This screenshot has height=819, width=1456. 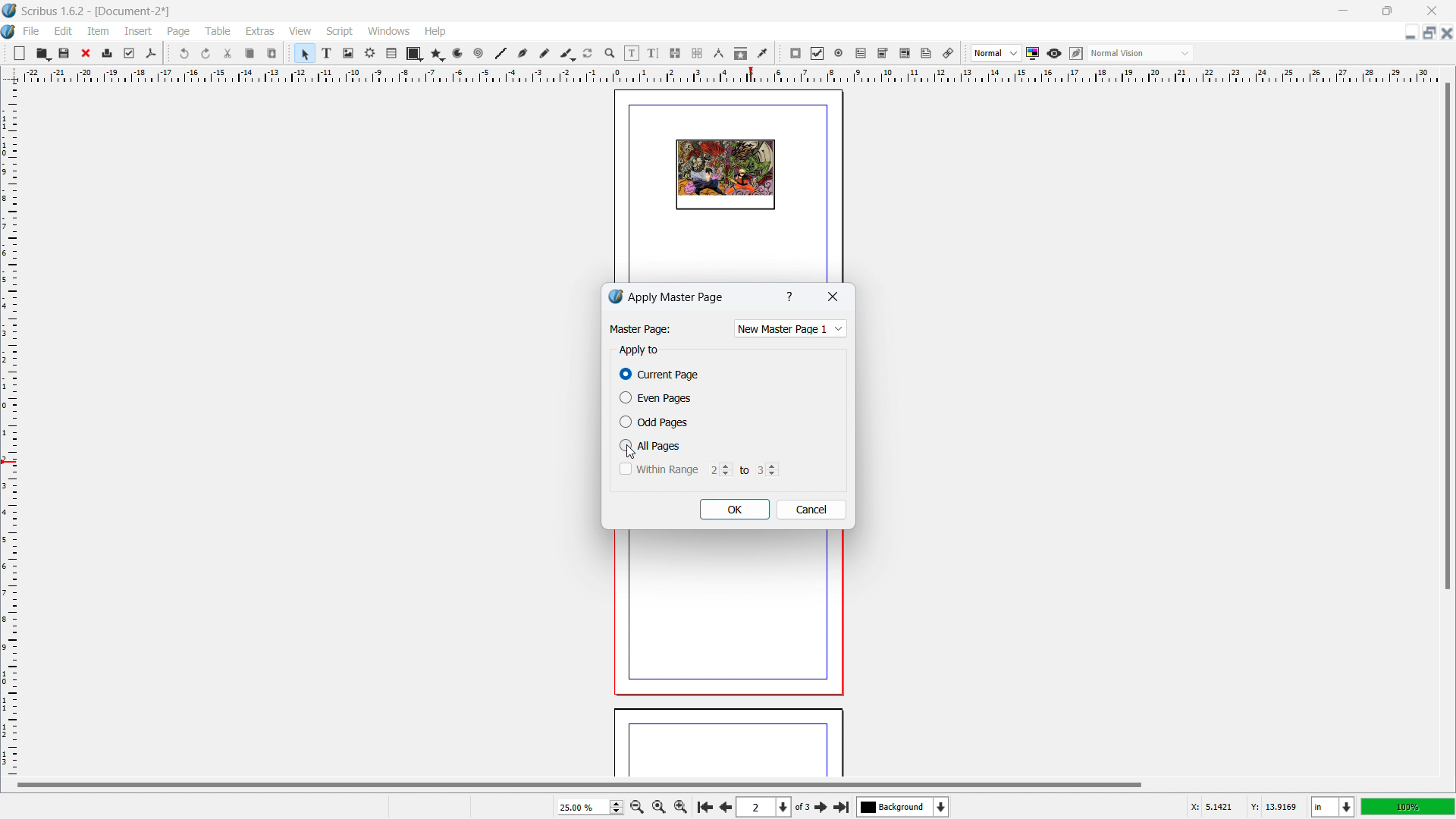 What do you see at coordinates (764, 808) in the screenshot?
I see `select the current page` at bounding box center [764, 808].